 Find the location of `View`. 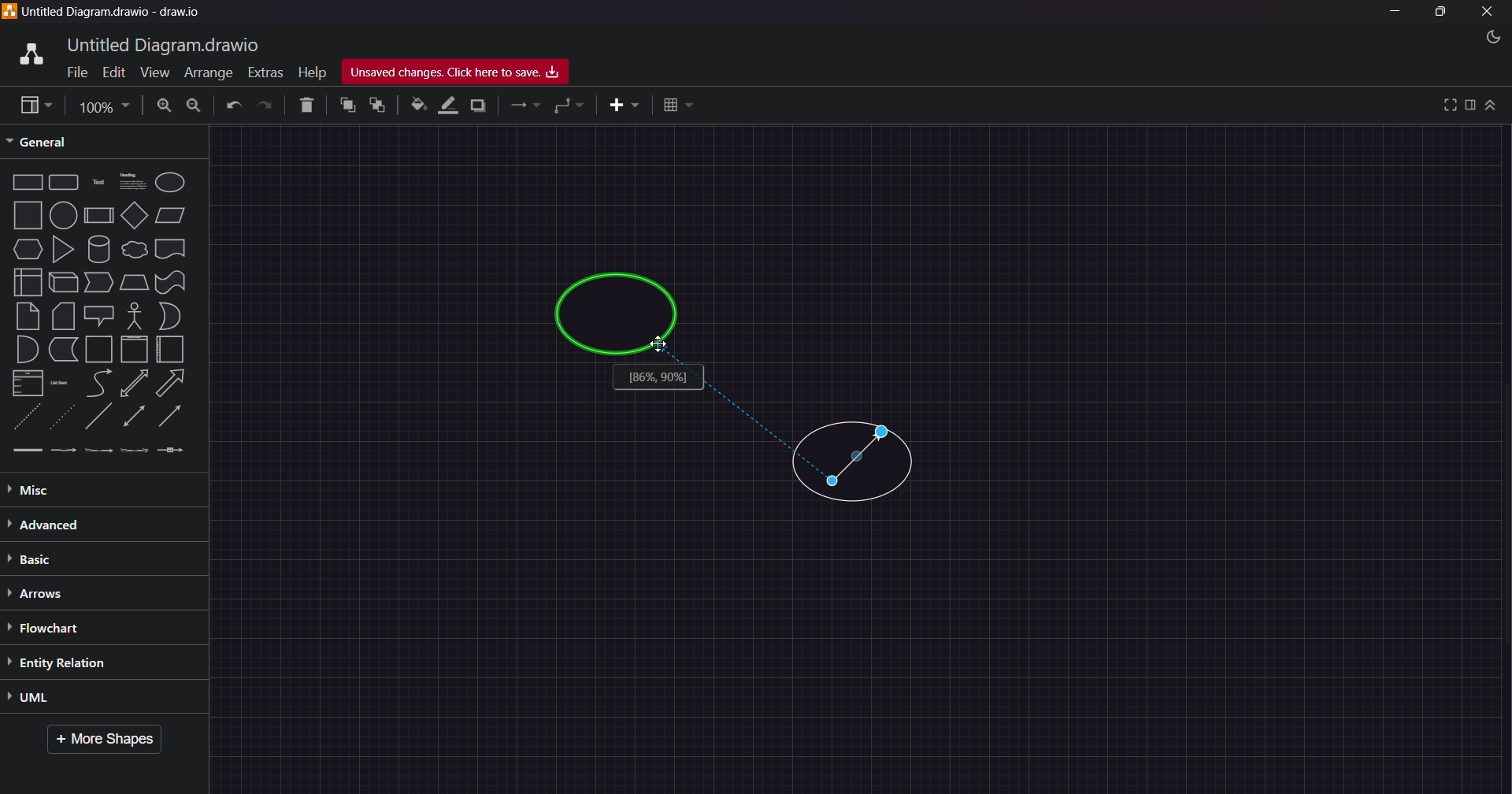

View is located at coordinates (148, 72).